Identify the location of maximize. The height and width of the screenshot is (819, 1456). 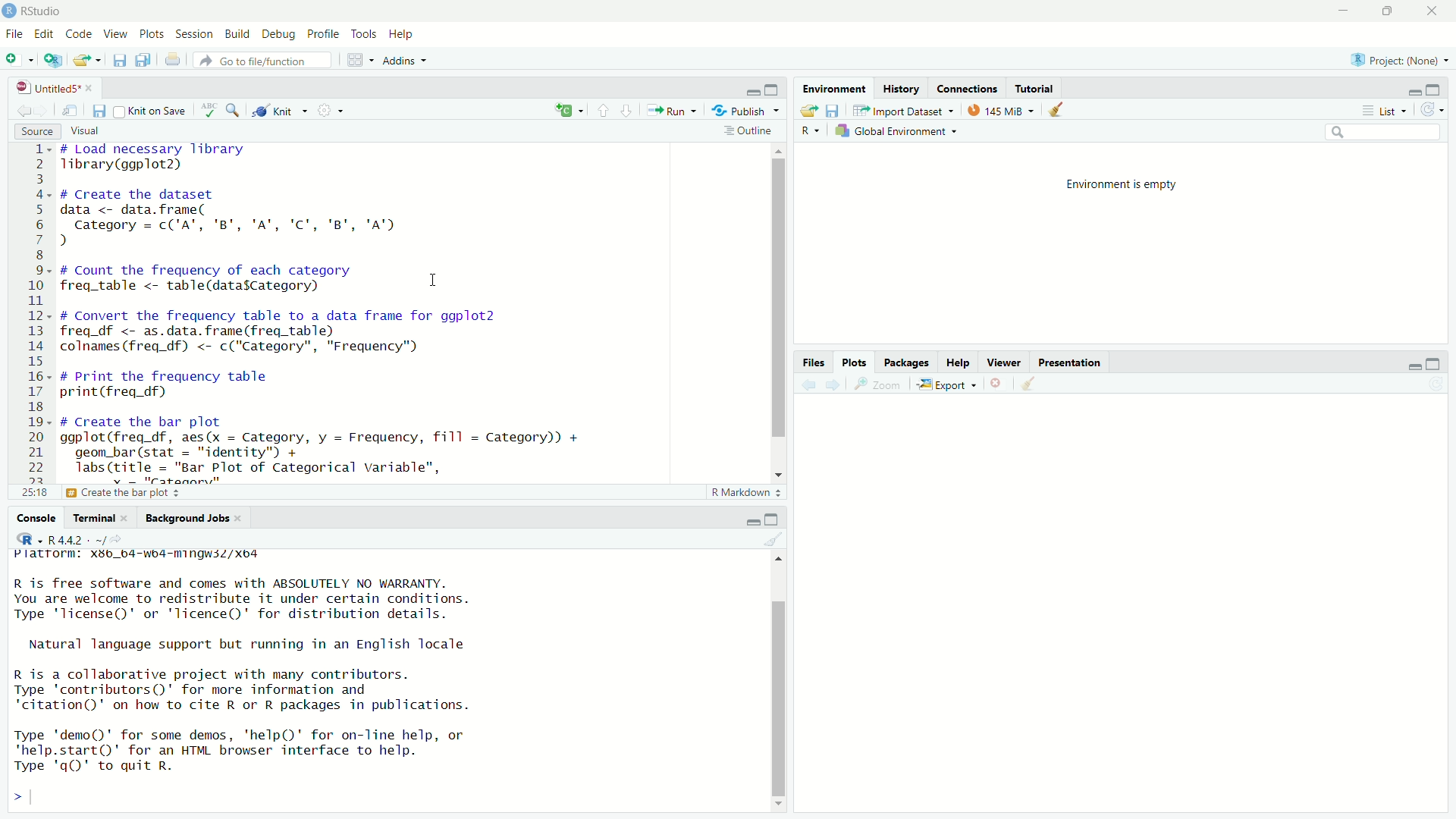
(777, 89).